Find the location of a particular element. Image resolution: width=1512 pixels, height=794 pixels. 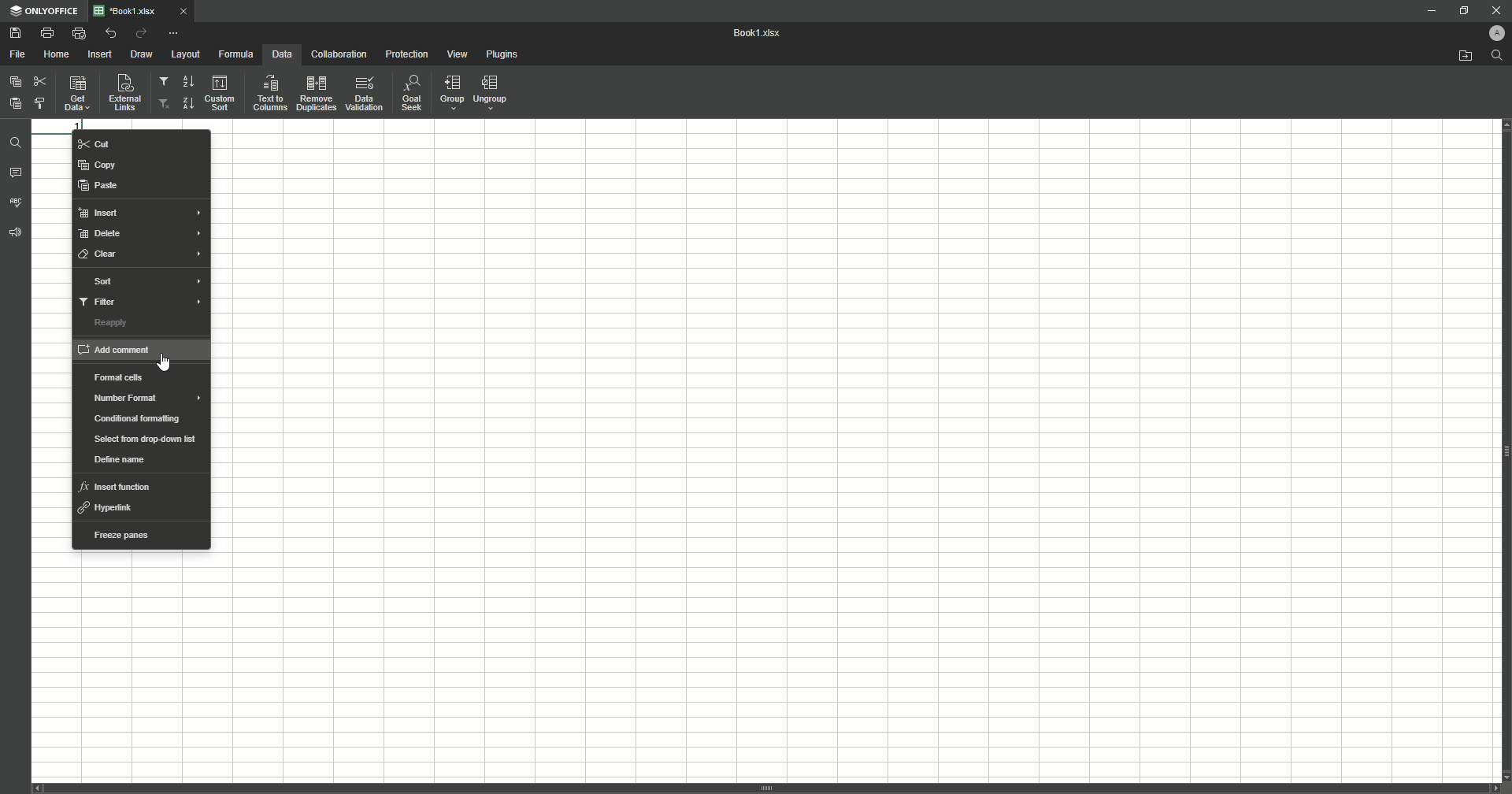

Find is located at coordinates (1497, 55).